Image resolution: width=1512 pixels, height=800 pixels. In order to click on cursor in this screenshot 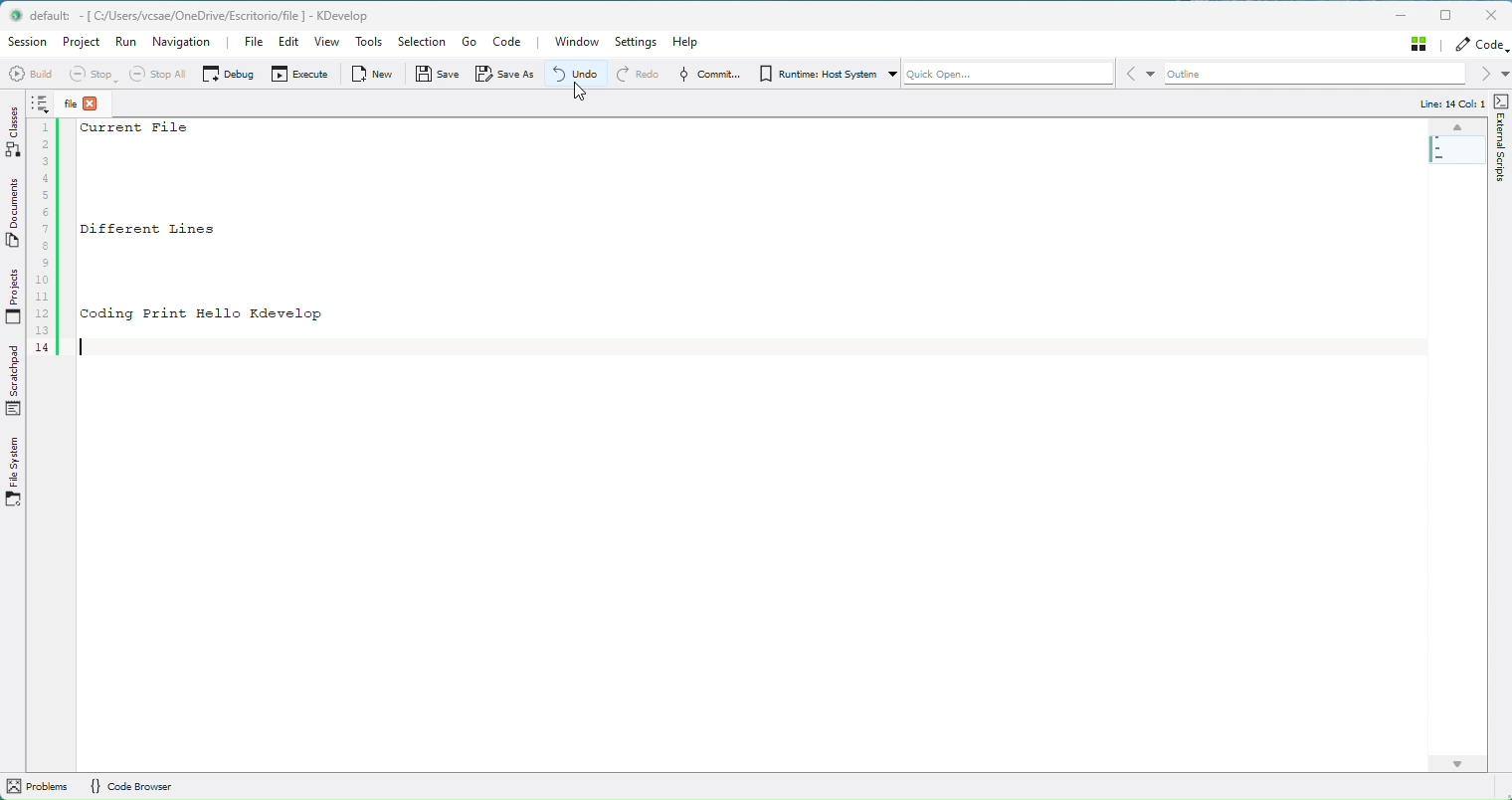, I will do `click(581, 96)`.